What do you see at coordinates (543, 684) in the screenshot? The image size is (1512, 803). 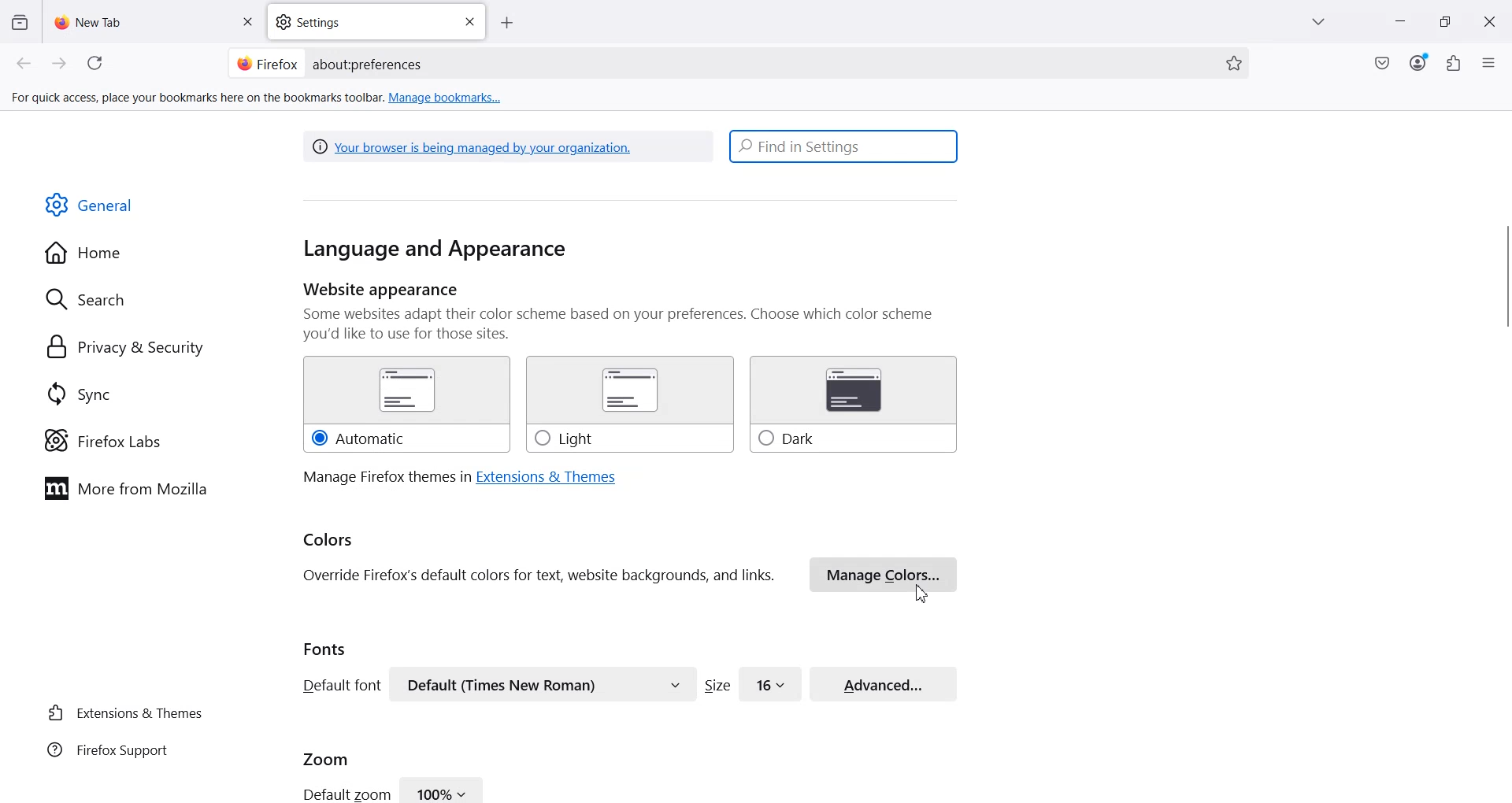 I see `Default (Times New Roman)` at bounding box center [543, 684].